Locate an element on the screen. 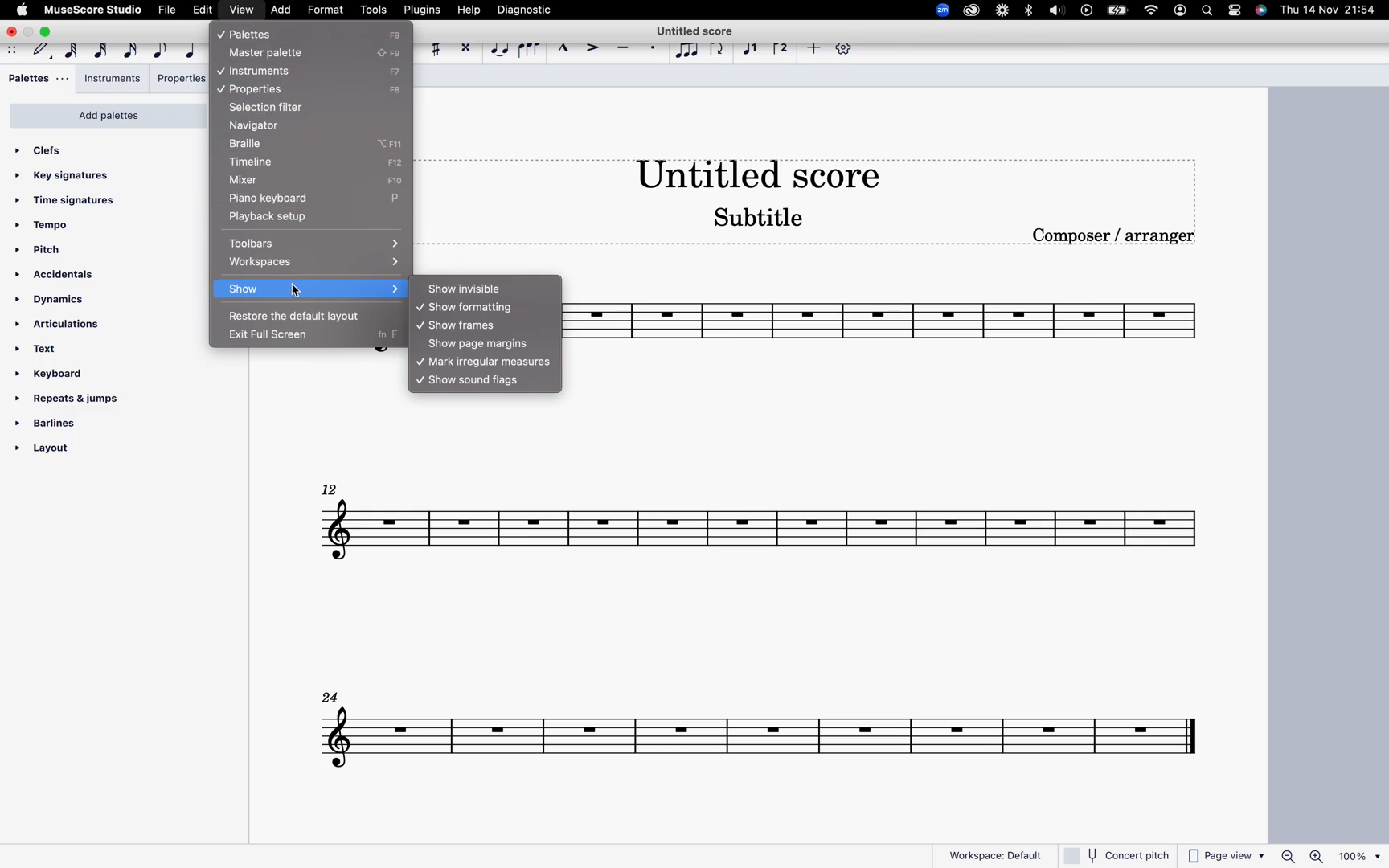 The image size is (1389, 868). clefs is located at coordinates (47, 150).